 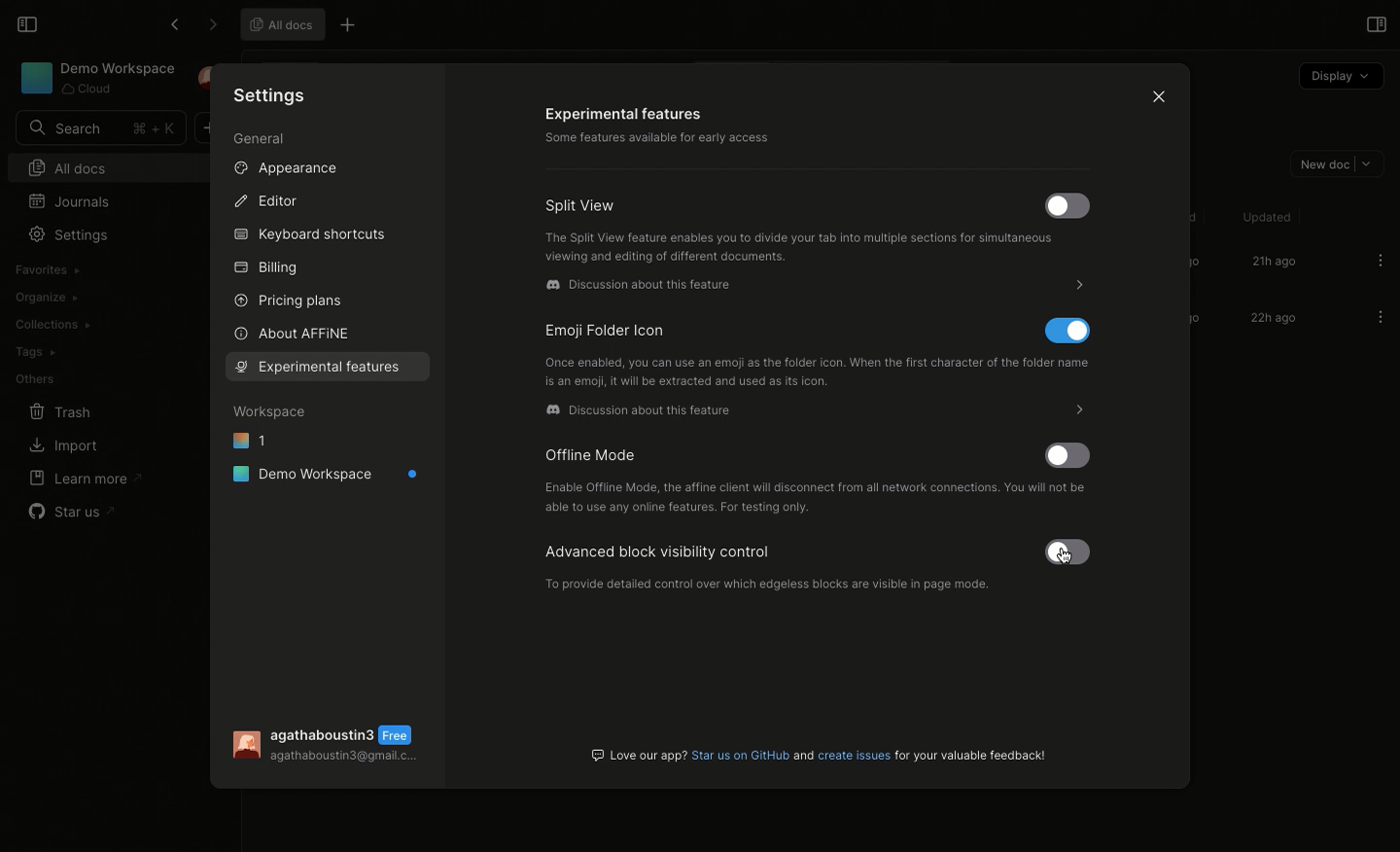 I want to click on New doc, so click(x=1333, y=162).